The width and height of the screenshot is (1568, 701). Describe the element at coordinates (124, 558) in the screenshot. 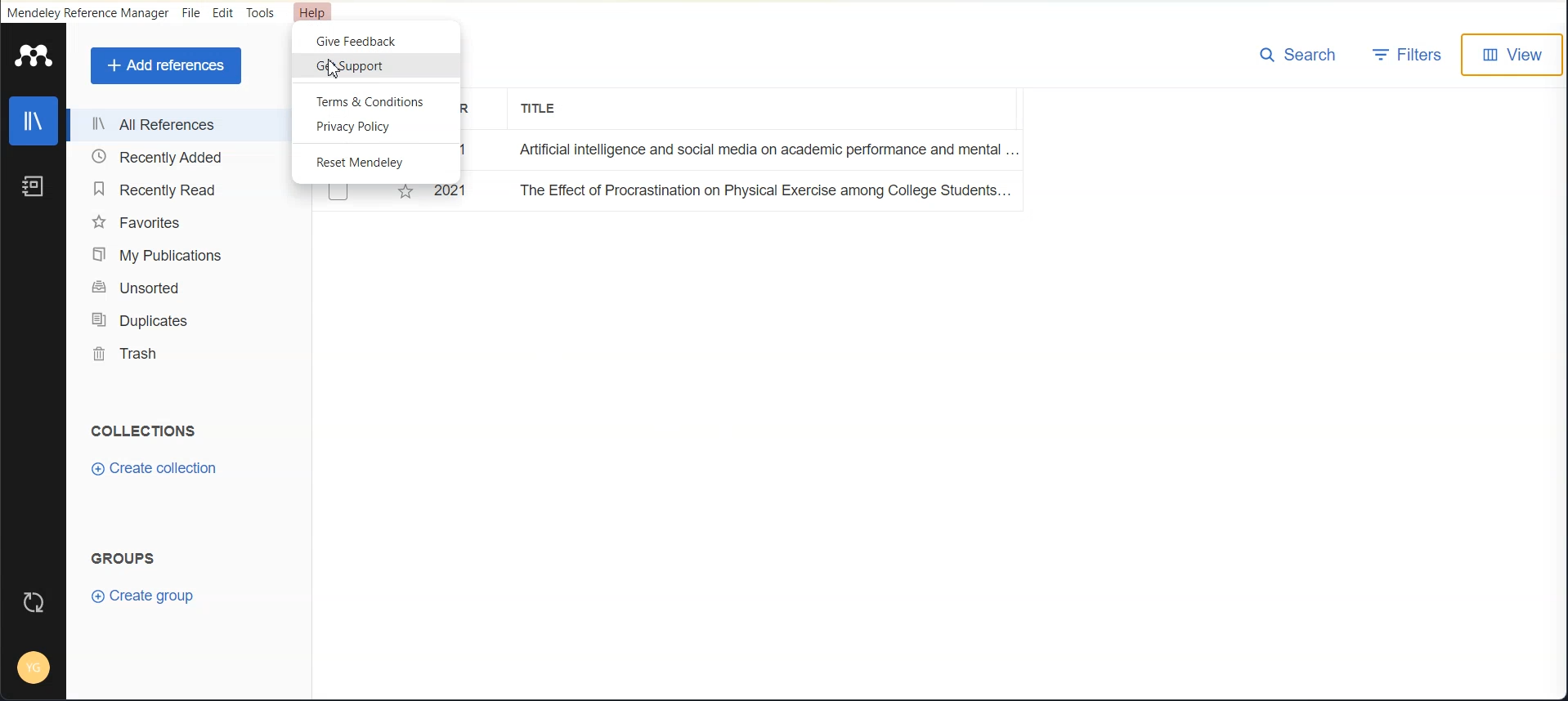

I see `Text` at that location.